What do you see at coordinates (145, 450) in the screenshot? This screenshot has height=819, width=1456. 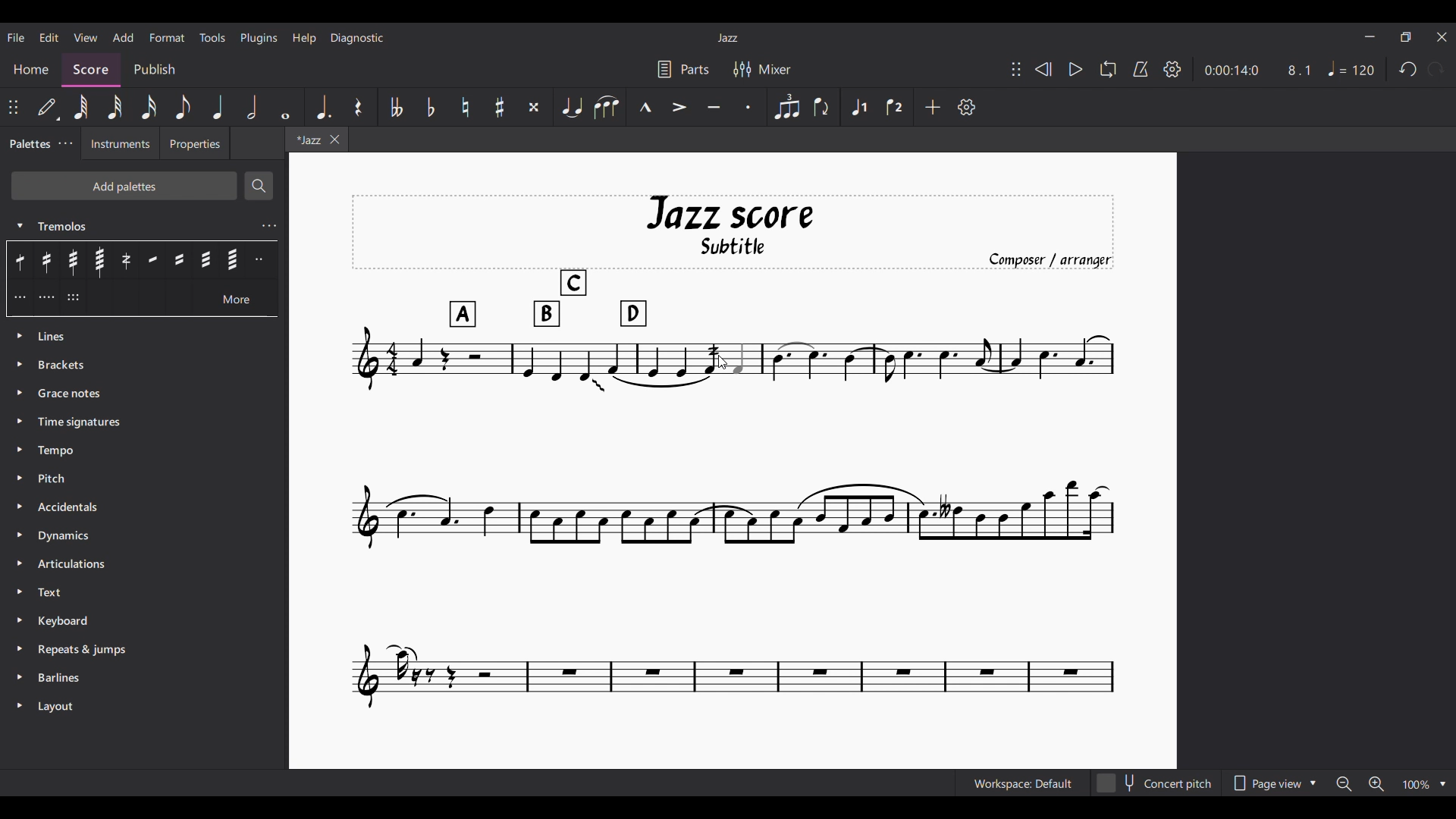 I see `Tempo` at bounding box center [145, 450].